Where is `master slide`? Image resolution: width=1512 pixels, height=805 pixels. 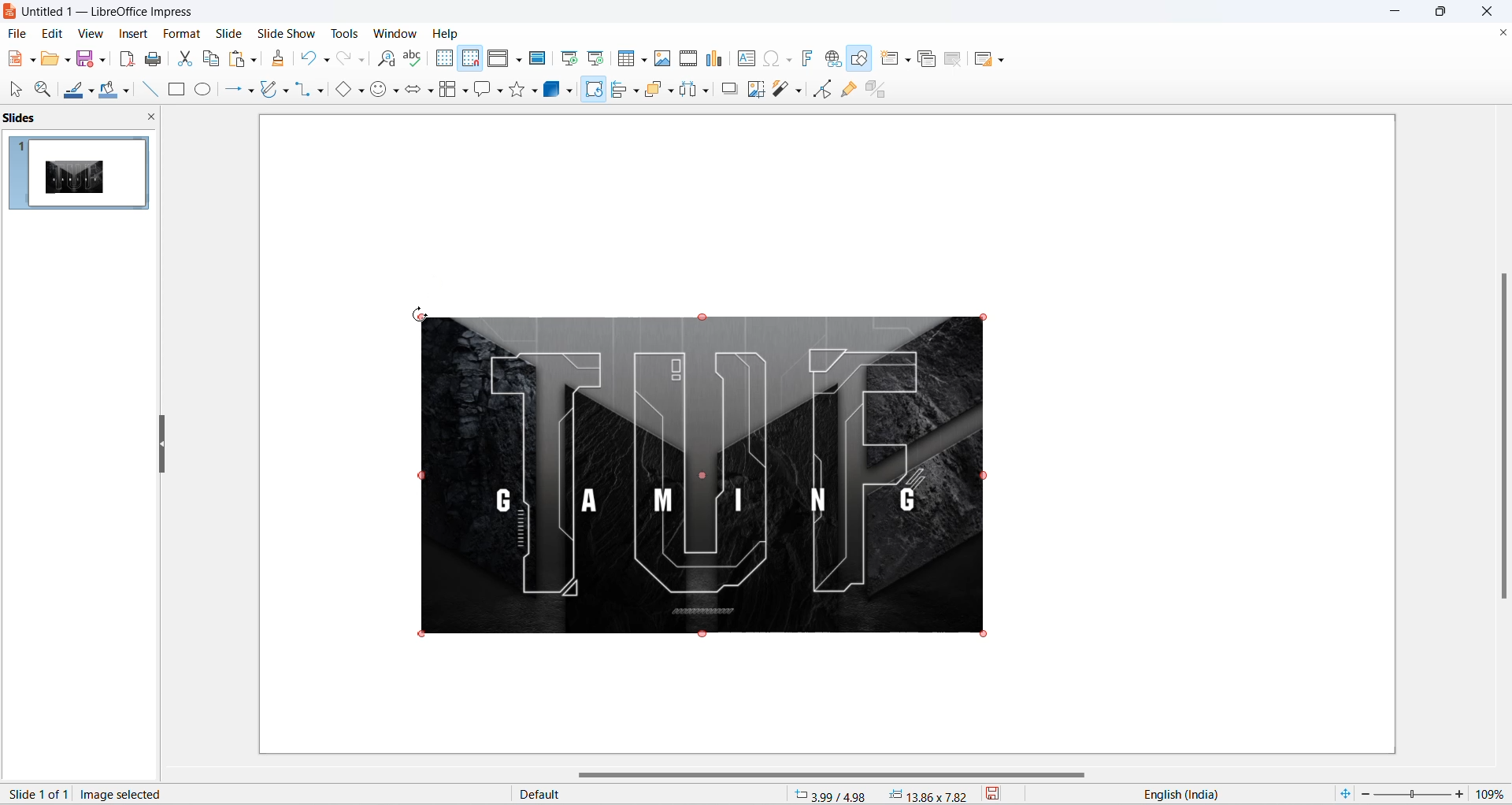
master slide is located at coordinates (539, 57).